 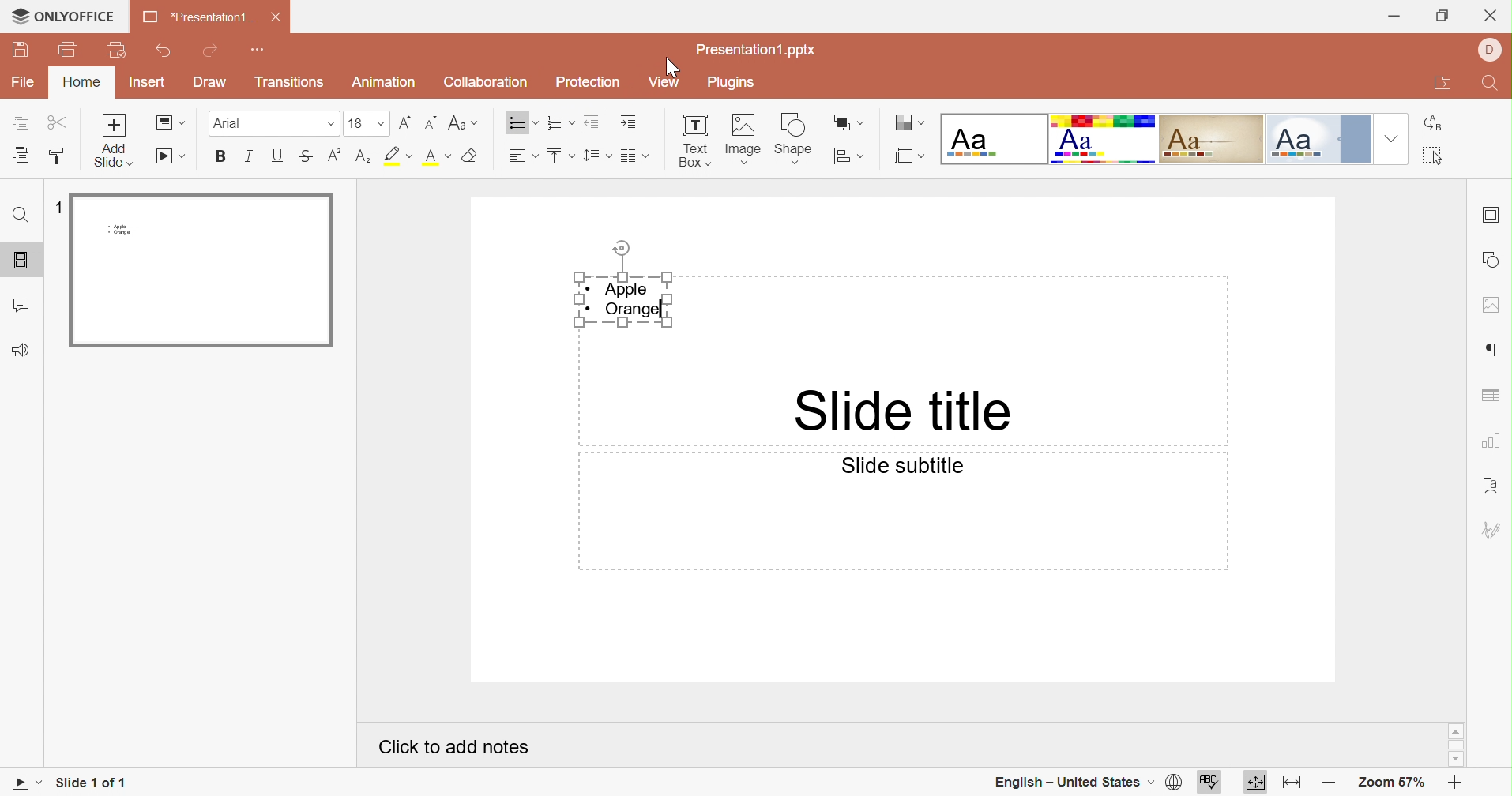 I want to click on Clear, so click(x=473, y=156).